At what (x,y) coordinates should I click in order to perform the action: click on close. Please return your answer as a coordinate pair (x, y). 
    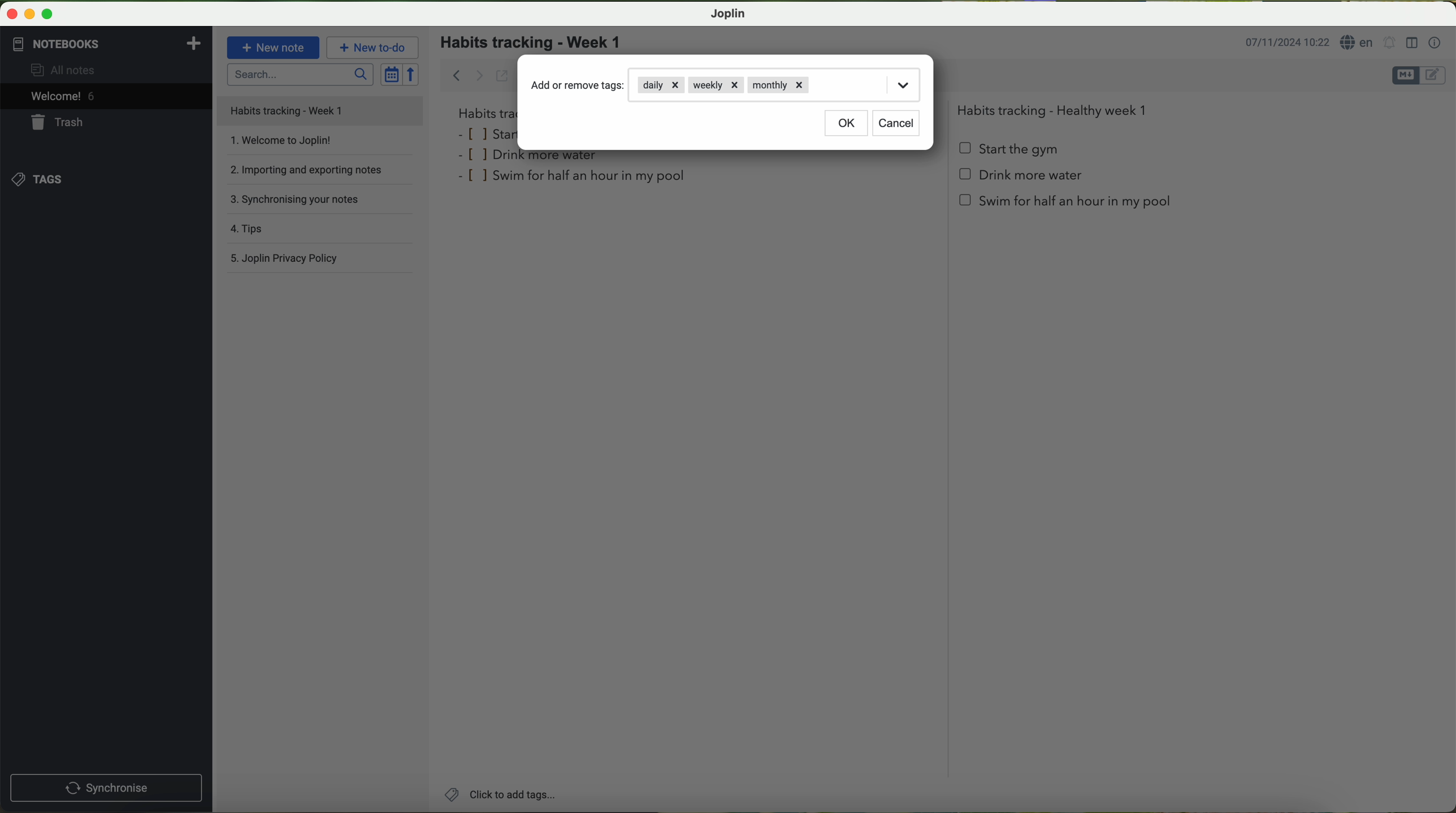
    Looking at the image, I should click on (9, 12).